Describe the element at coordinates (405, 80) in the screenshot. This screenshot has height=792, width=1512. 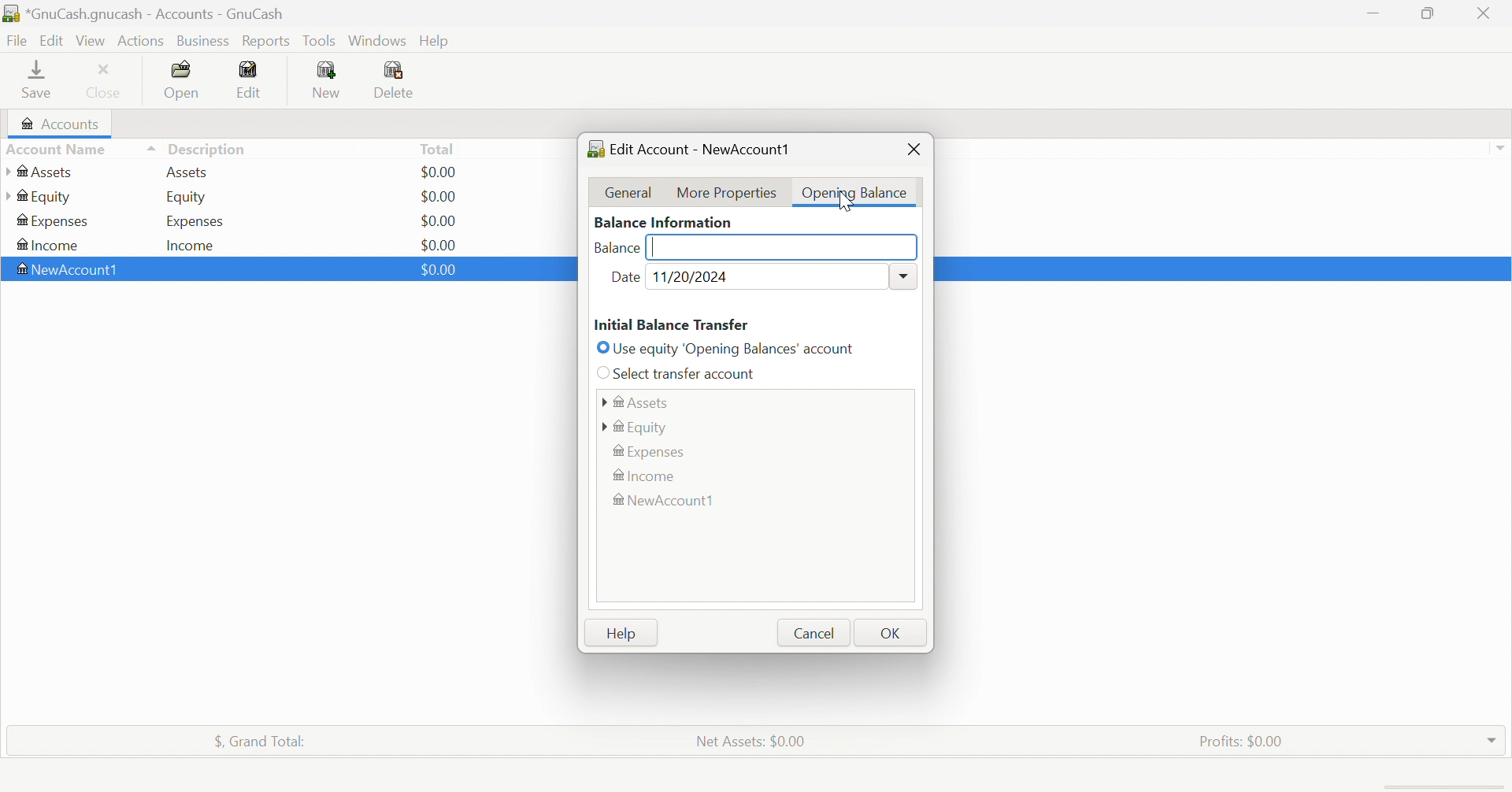
I see `Delete` at that location.